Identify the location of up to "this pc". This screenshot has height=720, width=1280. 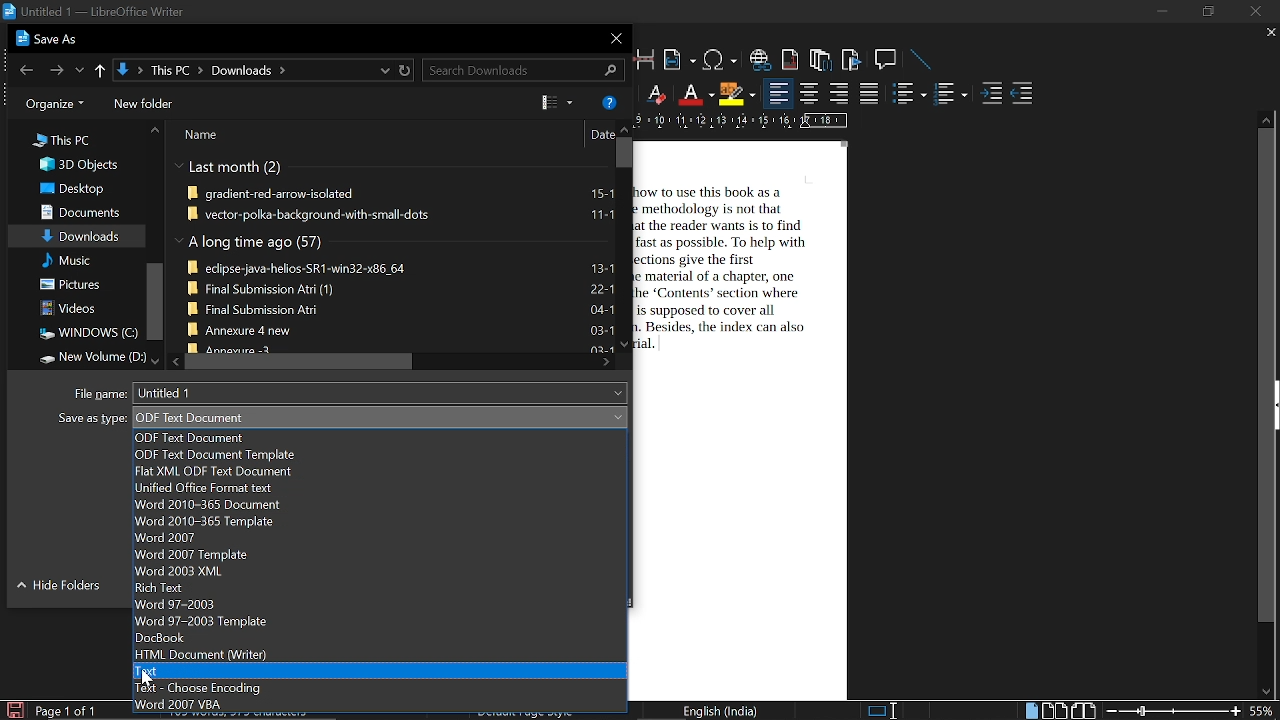
(100, 68).